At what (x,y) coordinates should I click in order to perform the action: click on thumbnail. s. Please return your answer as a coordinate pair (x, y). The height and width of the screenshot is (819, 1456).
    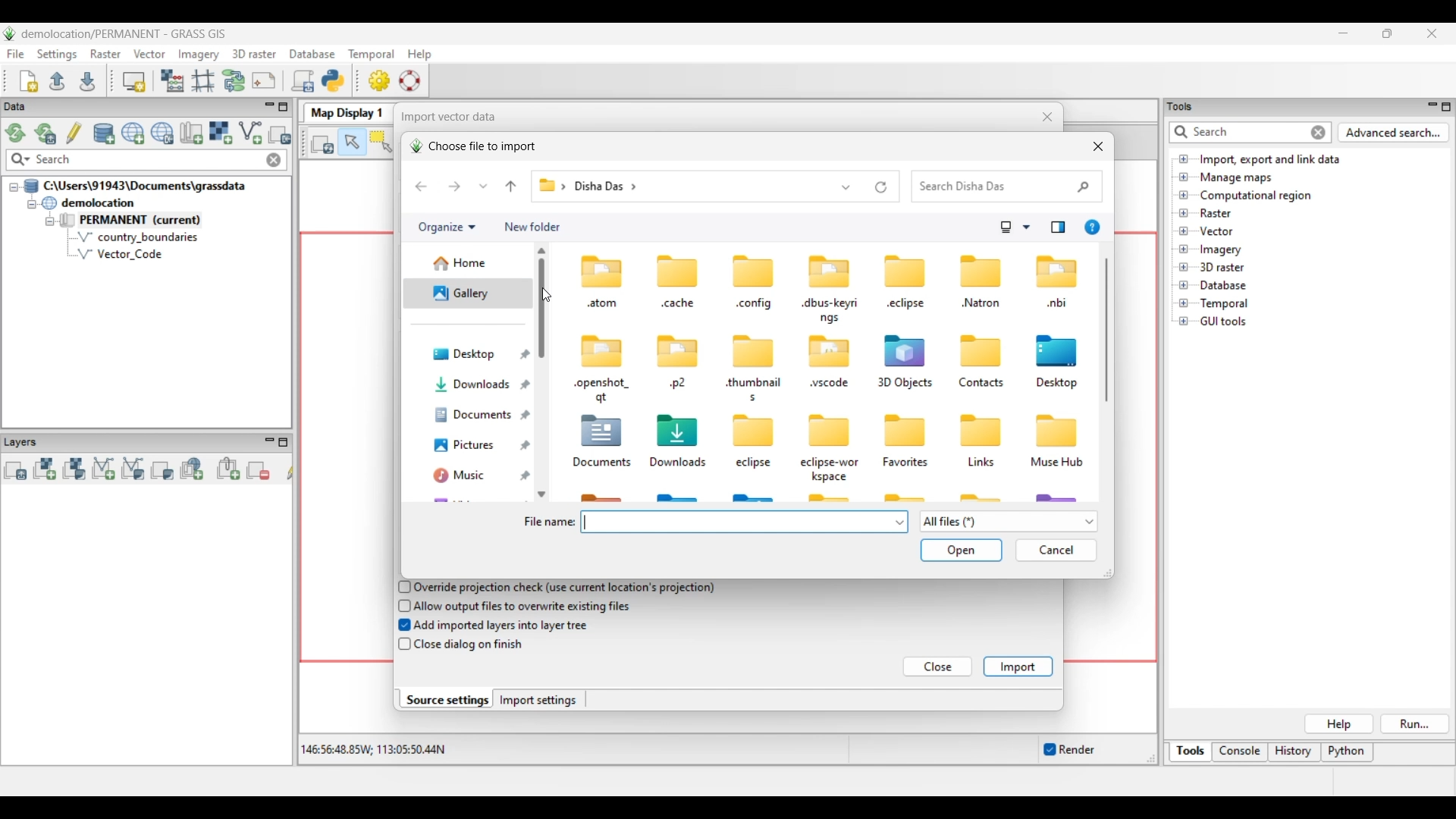
    Looking at the image, I should click on (752, 390).